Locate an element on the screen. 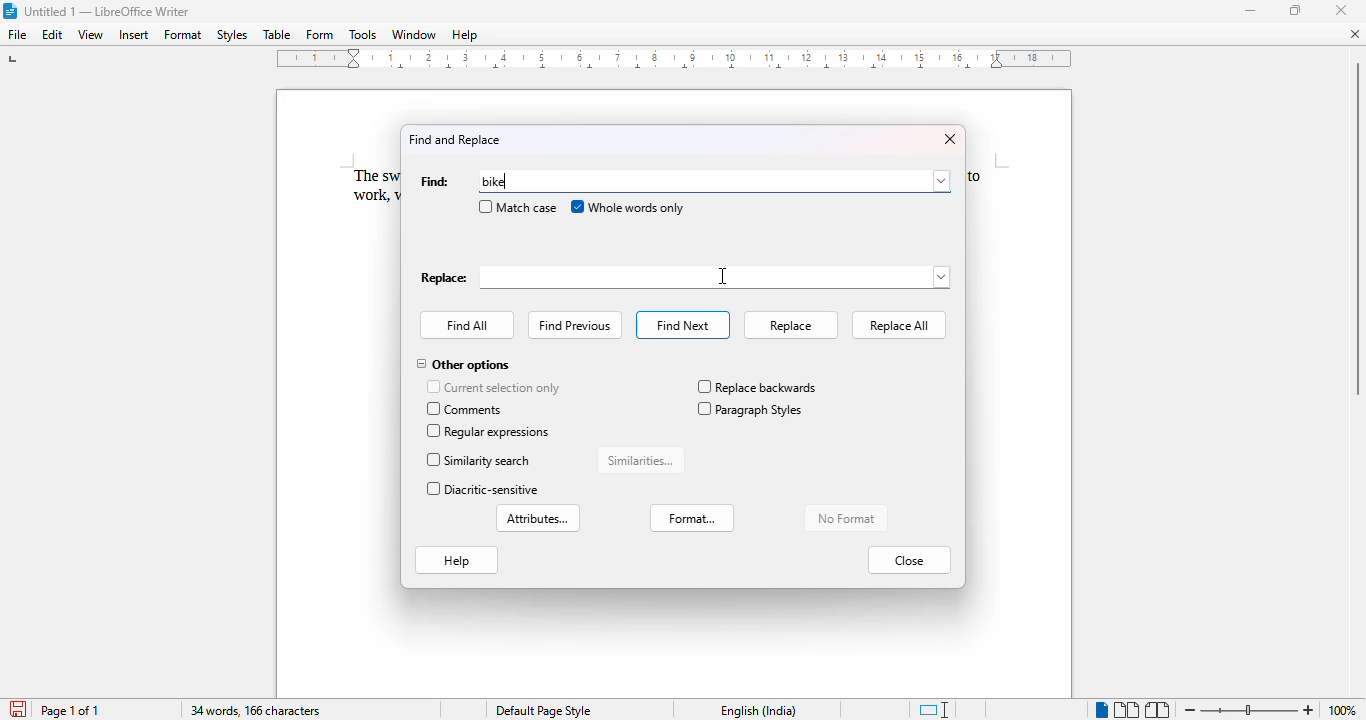  help is located at coordinates (457, 561).